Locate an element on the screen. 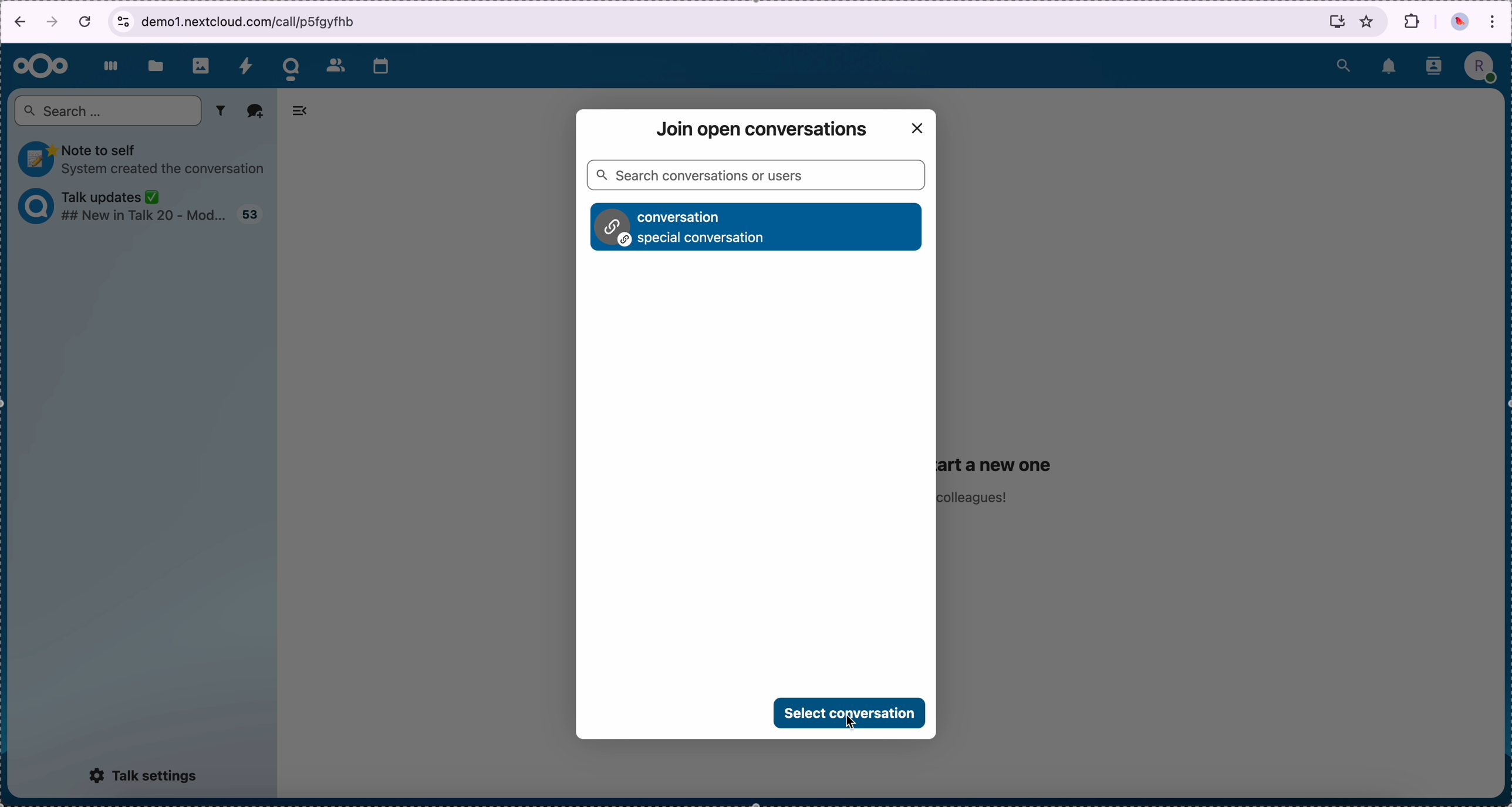  cursor on talk is located at coordinates (294, 65).